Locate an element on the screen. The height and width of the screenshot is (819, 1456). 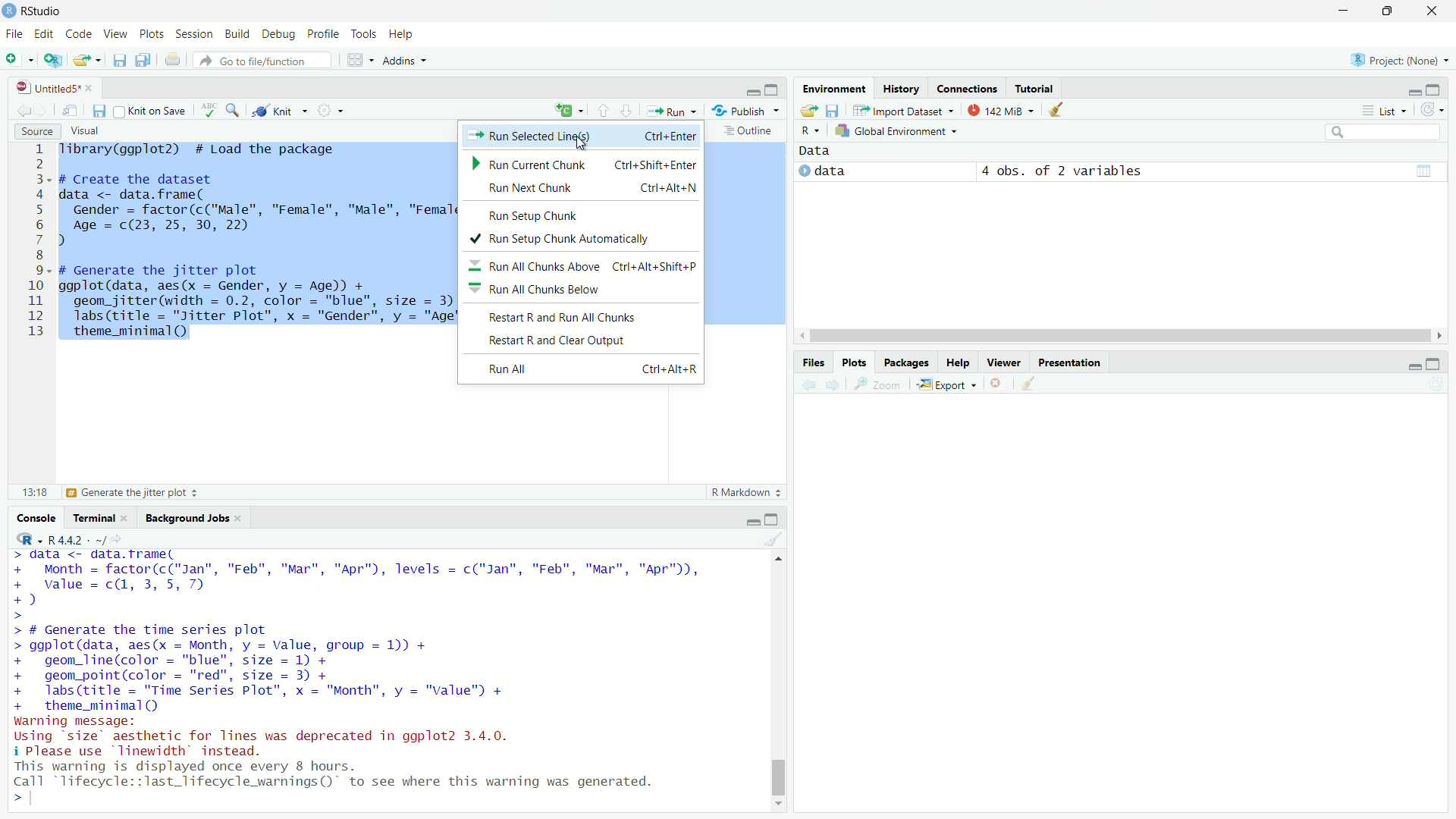
minimize is located at coordinates (752, 88).